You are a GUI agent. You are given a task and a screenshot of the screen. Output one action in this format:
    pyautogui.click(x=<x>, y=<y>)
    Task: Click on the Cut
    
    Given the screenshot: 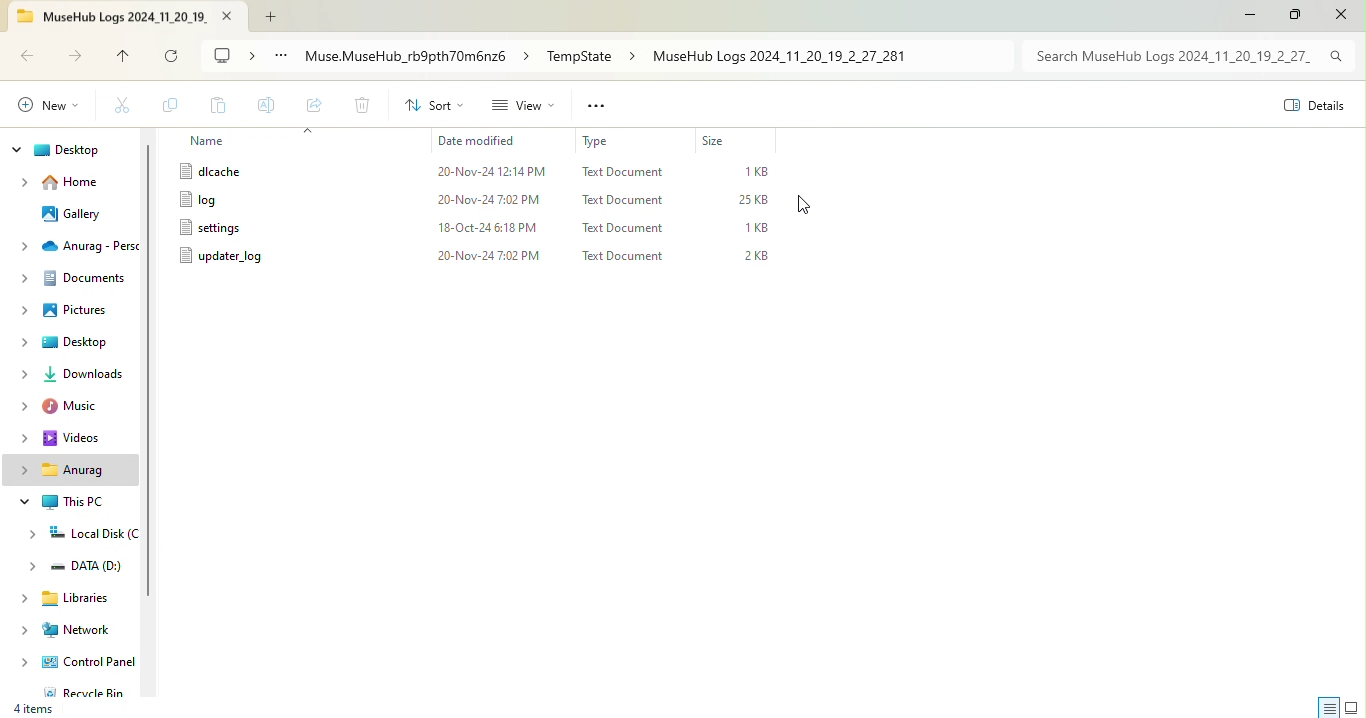 What is the action you would take?
    pyautogui.click(x=127, y=106)
    